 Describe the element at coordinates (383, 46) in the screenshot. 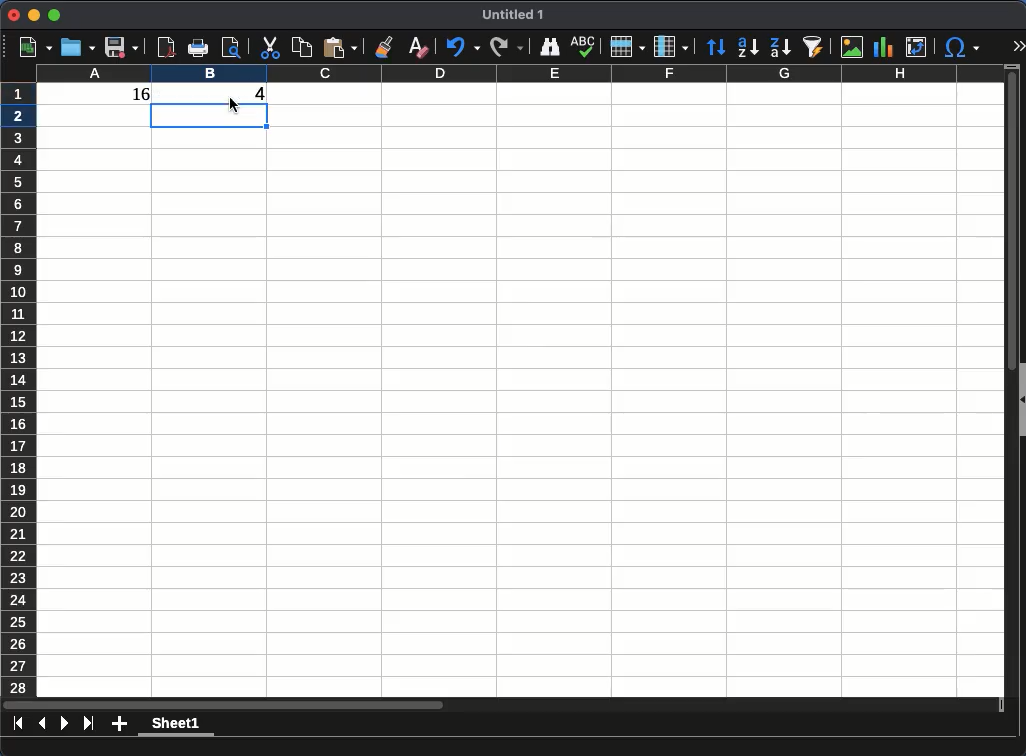

I see `clone formatting ` at that location.